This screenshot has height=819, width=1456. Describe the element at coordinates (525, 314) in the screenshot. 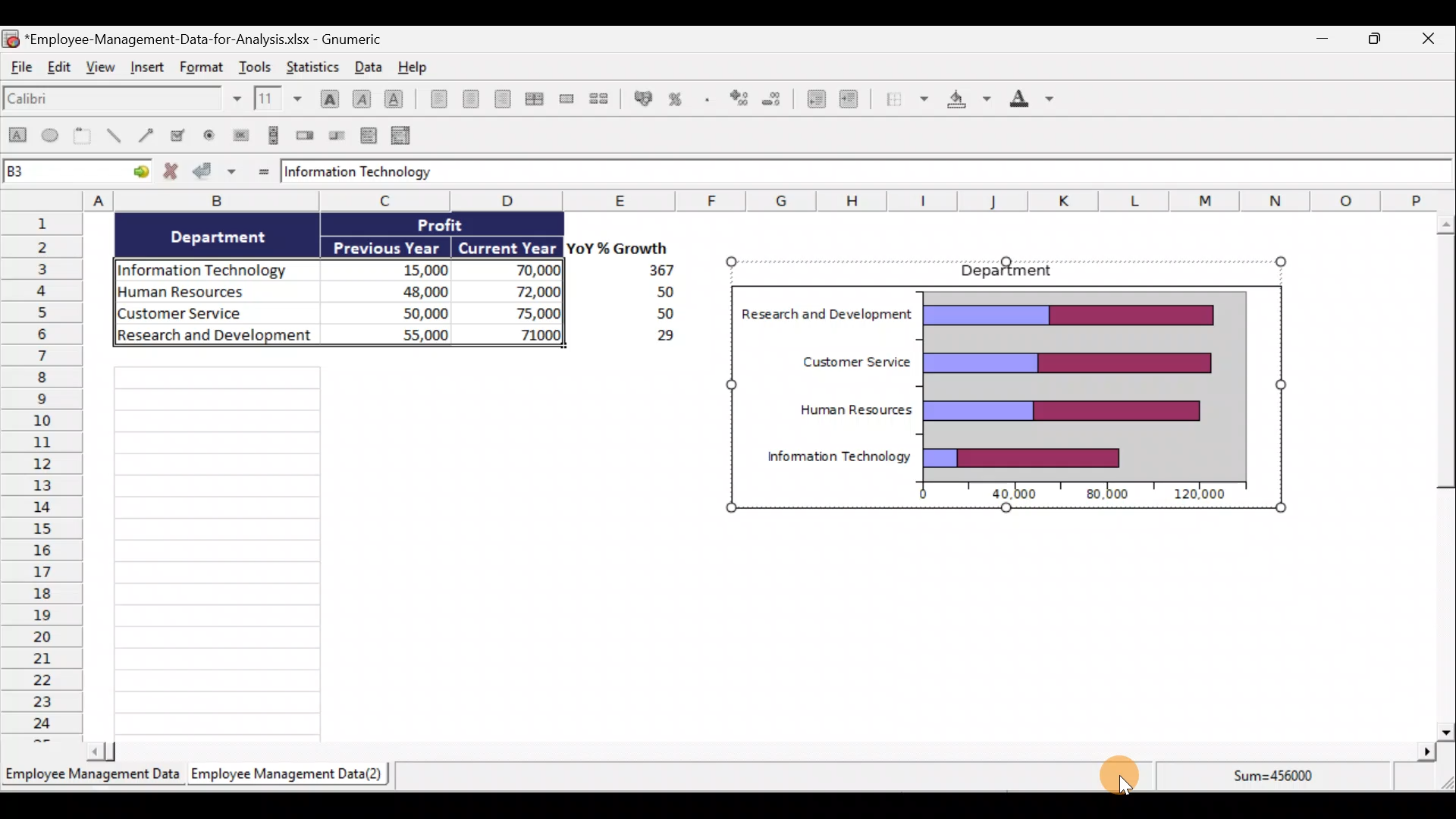

I see `75,000` at that location.